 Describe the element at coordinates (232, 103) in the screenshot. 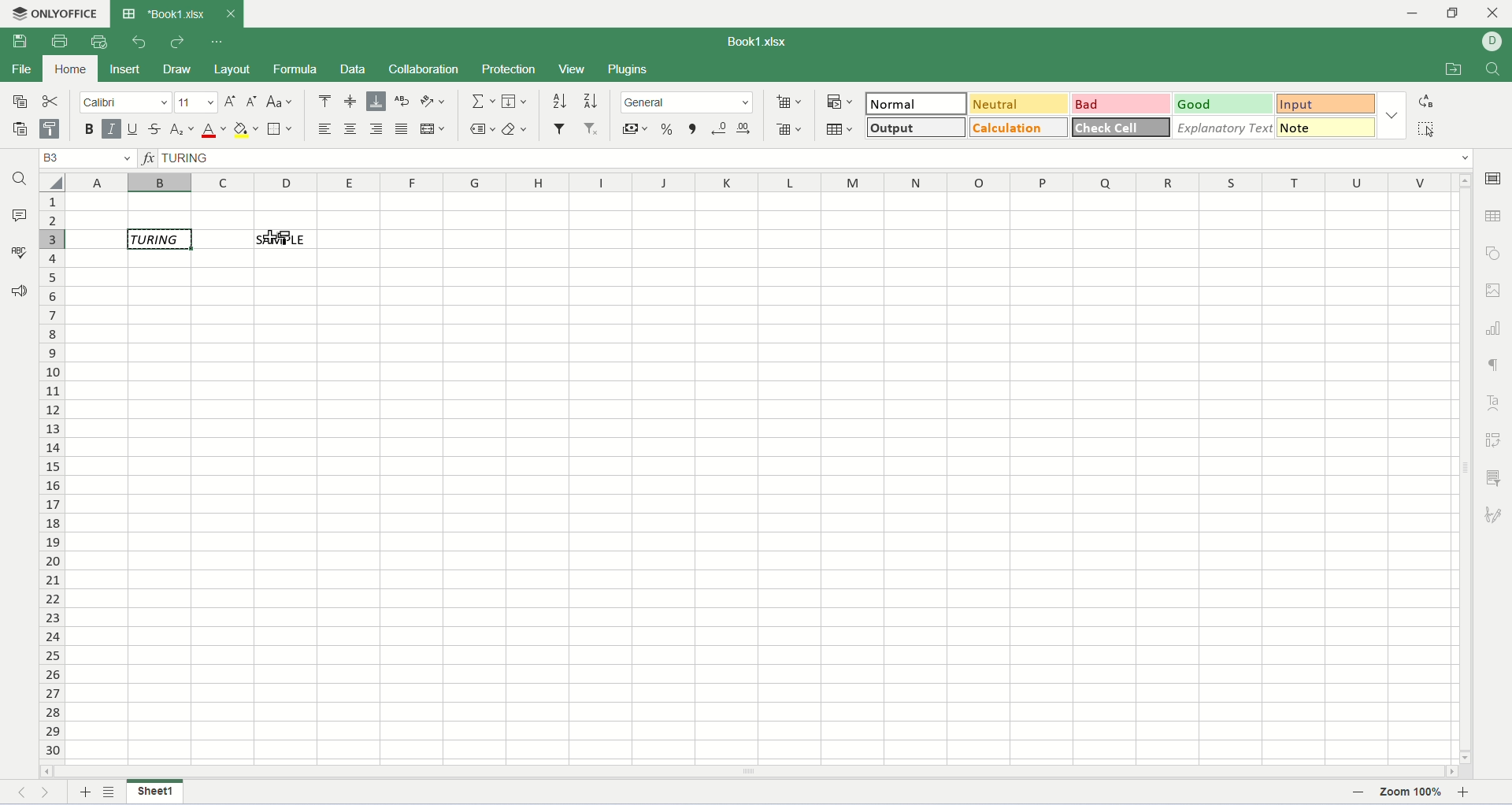

I see `increase font size` at that location.